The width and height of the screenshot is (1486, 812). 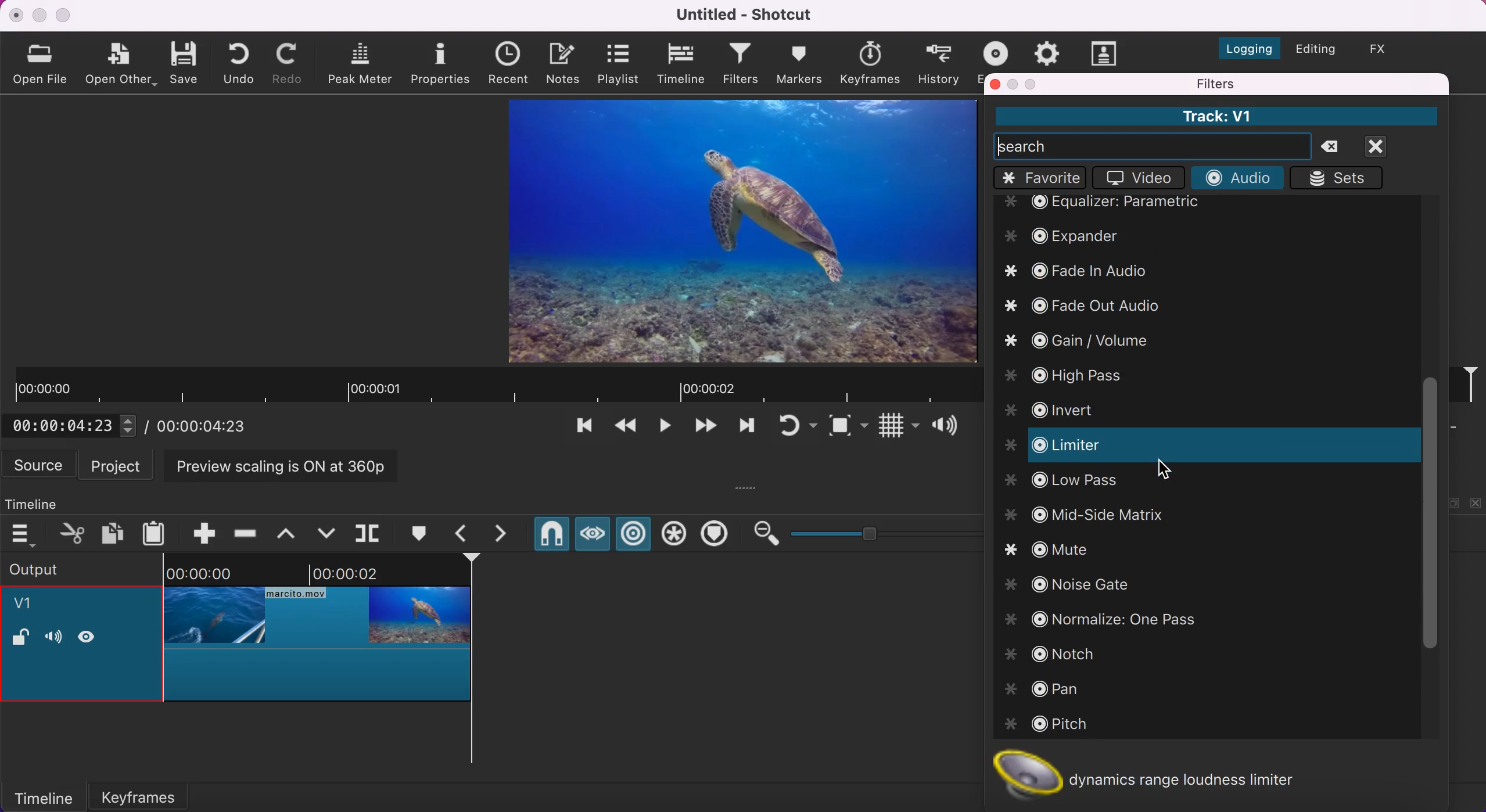 What do you see at coordinates (465, 533) in the screenshot?
I see `previous marker` at bounding box center [465, 533].